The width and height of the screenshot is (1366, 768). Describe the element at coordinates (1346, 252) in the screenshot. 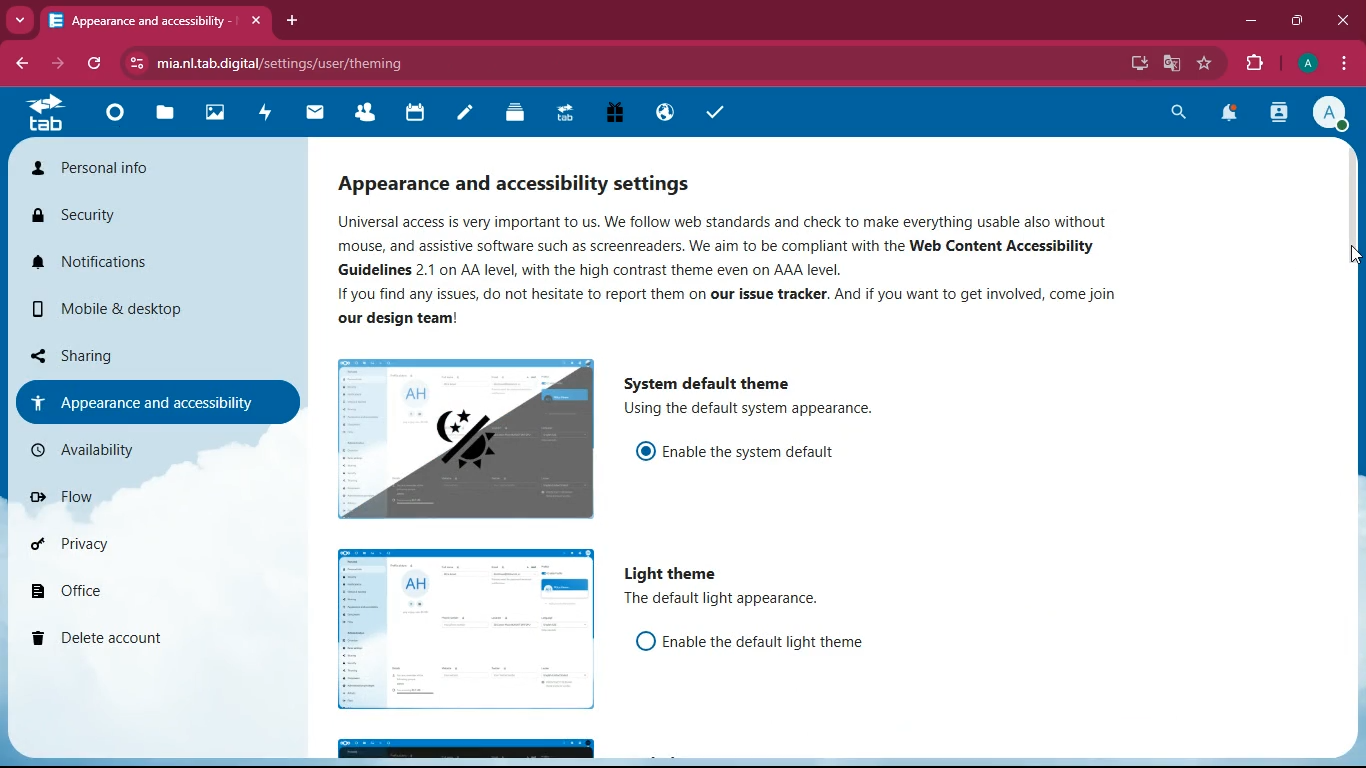

I see `cursor` at that location.